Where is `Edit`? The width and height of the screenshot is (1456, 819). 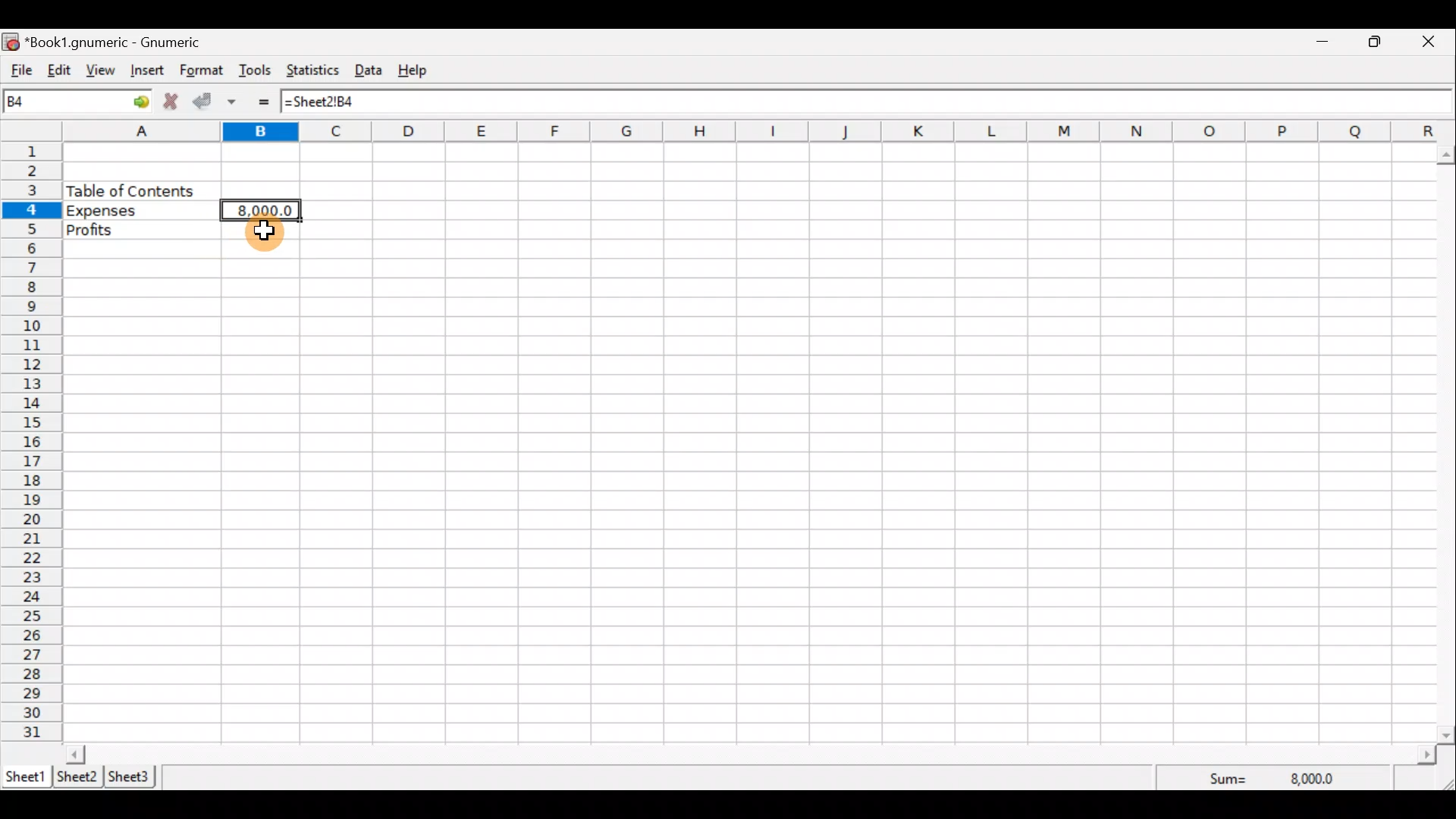
Edit is located at coordinates (59, 71).